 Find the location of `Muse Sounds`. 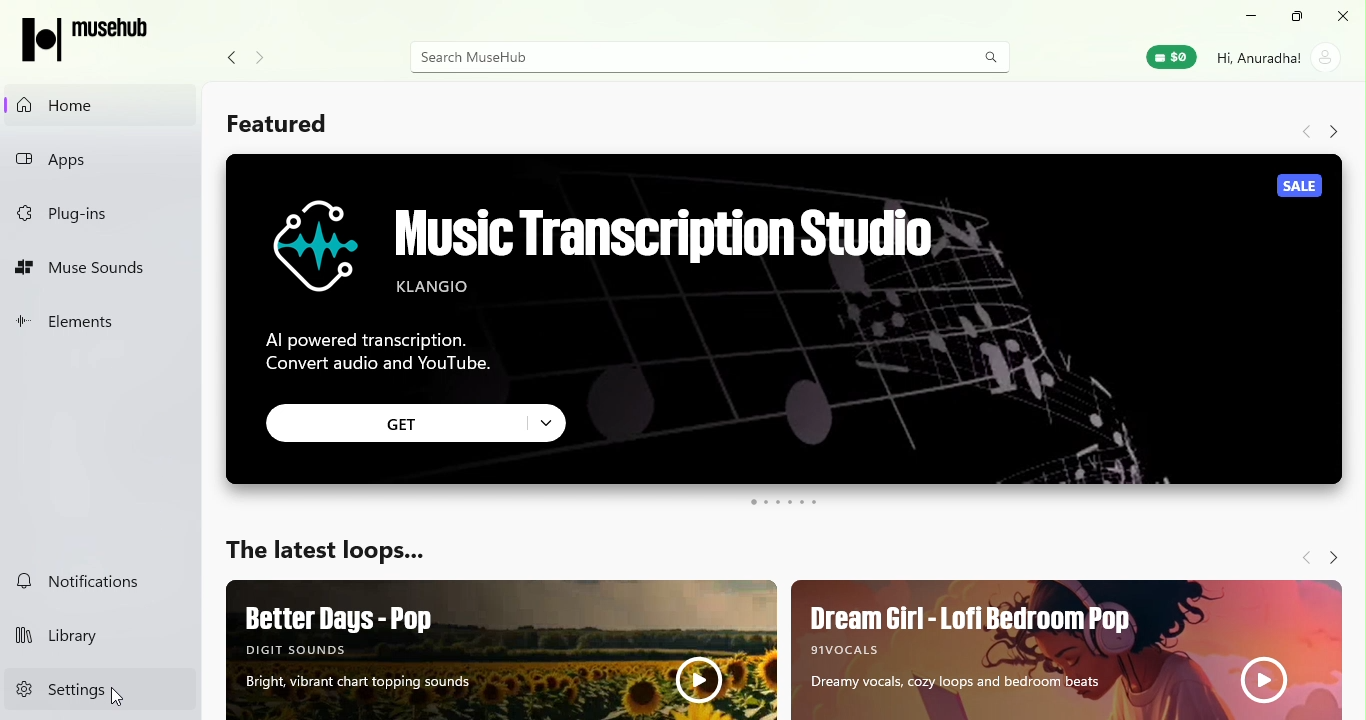

Muse Sounds is located at coordinates (98, 266).